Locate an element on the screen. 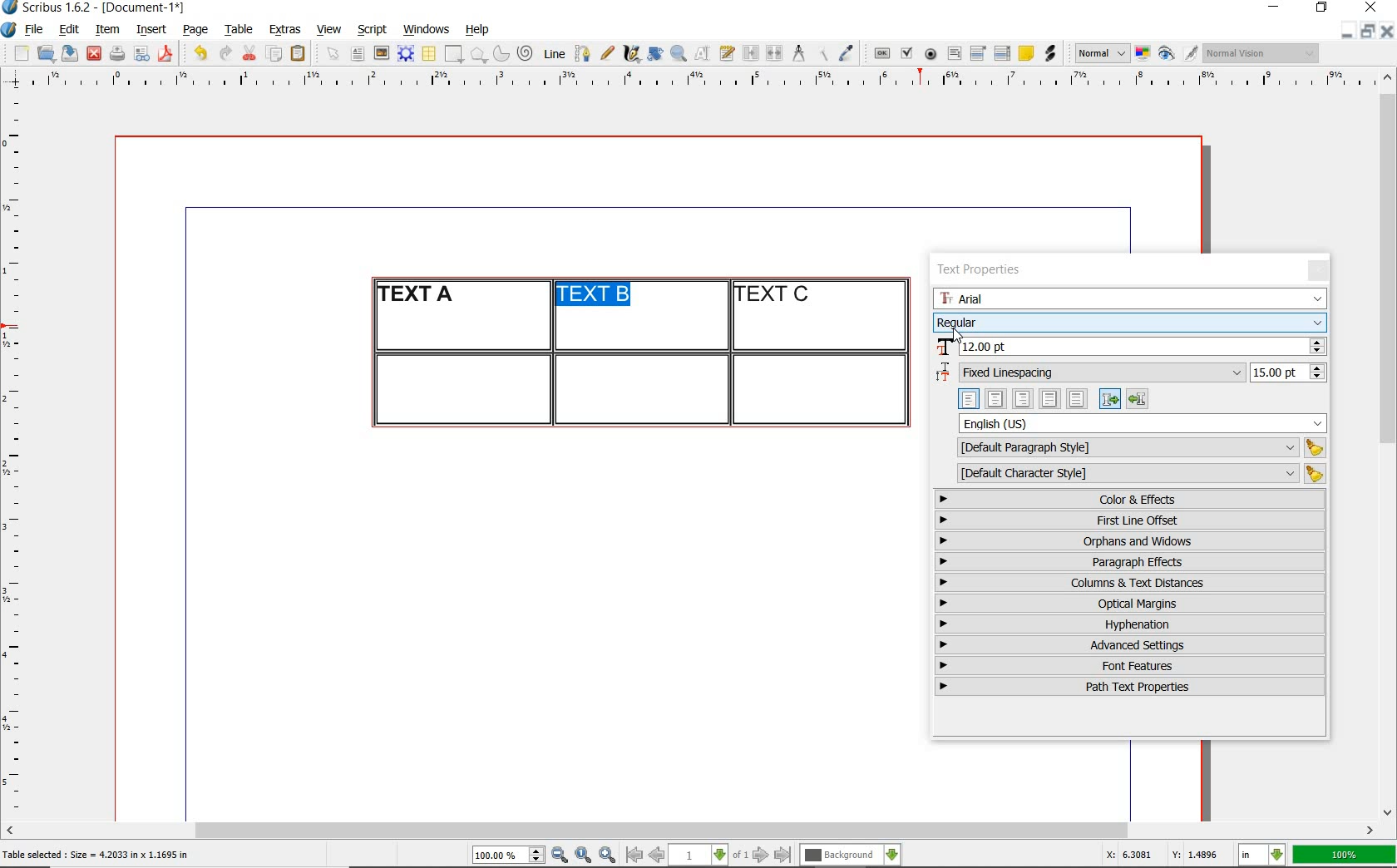 Image resolution: width=1397 pixels, height=868 pixels. go to last page is located at coordinates (783, 856).